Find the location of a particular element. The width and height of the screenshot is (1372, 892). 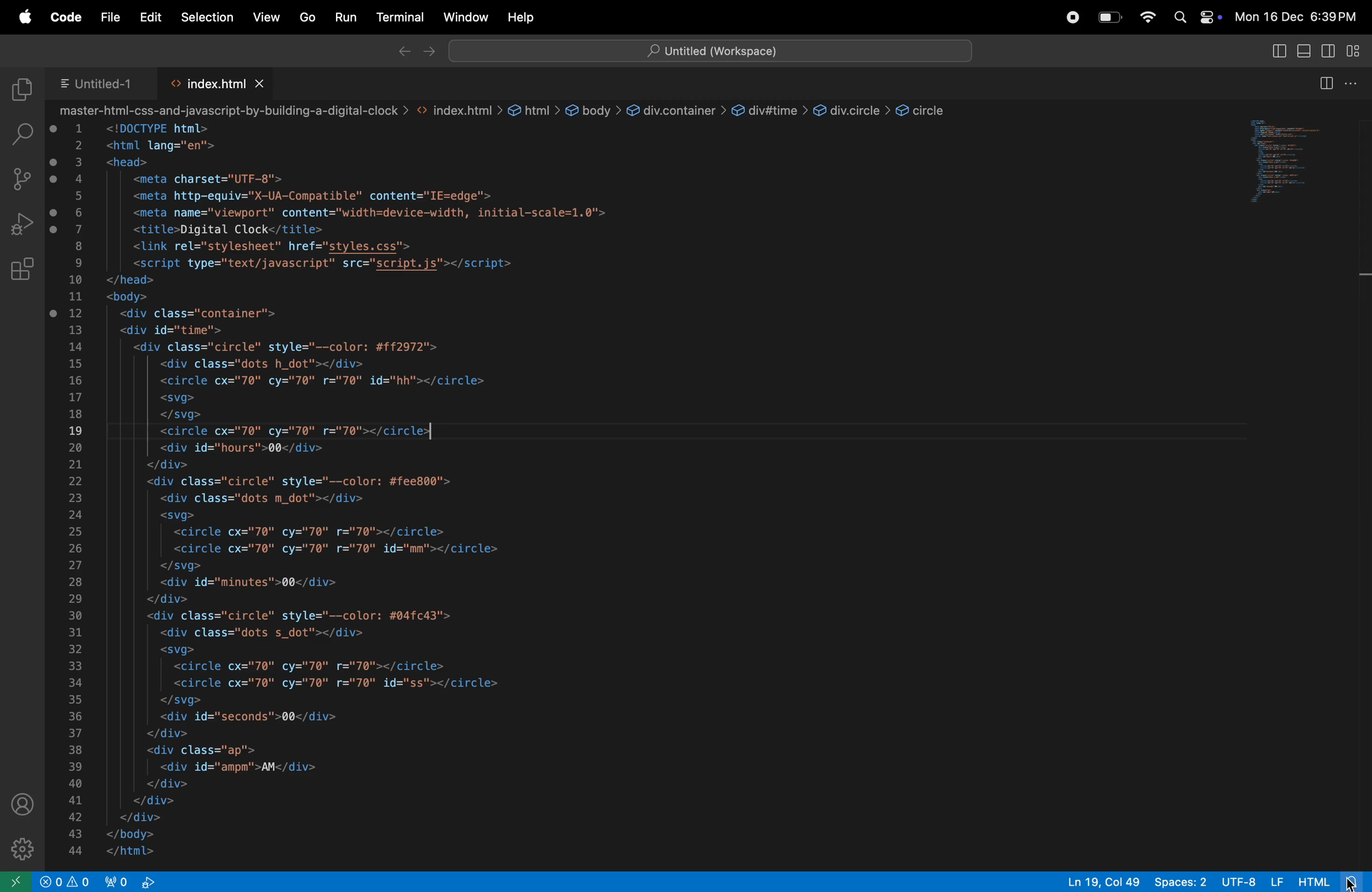

date and time is located at coordinates (1299, 16).